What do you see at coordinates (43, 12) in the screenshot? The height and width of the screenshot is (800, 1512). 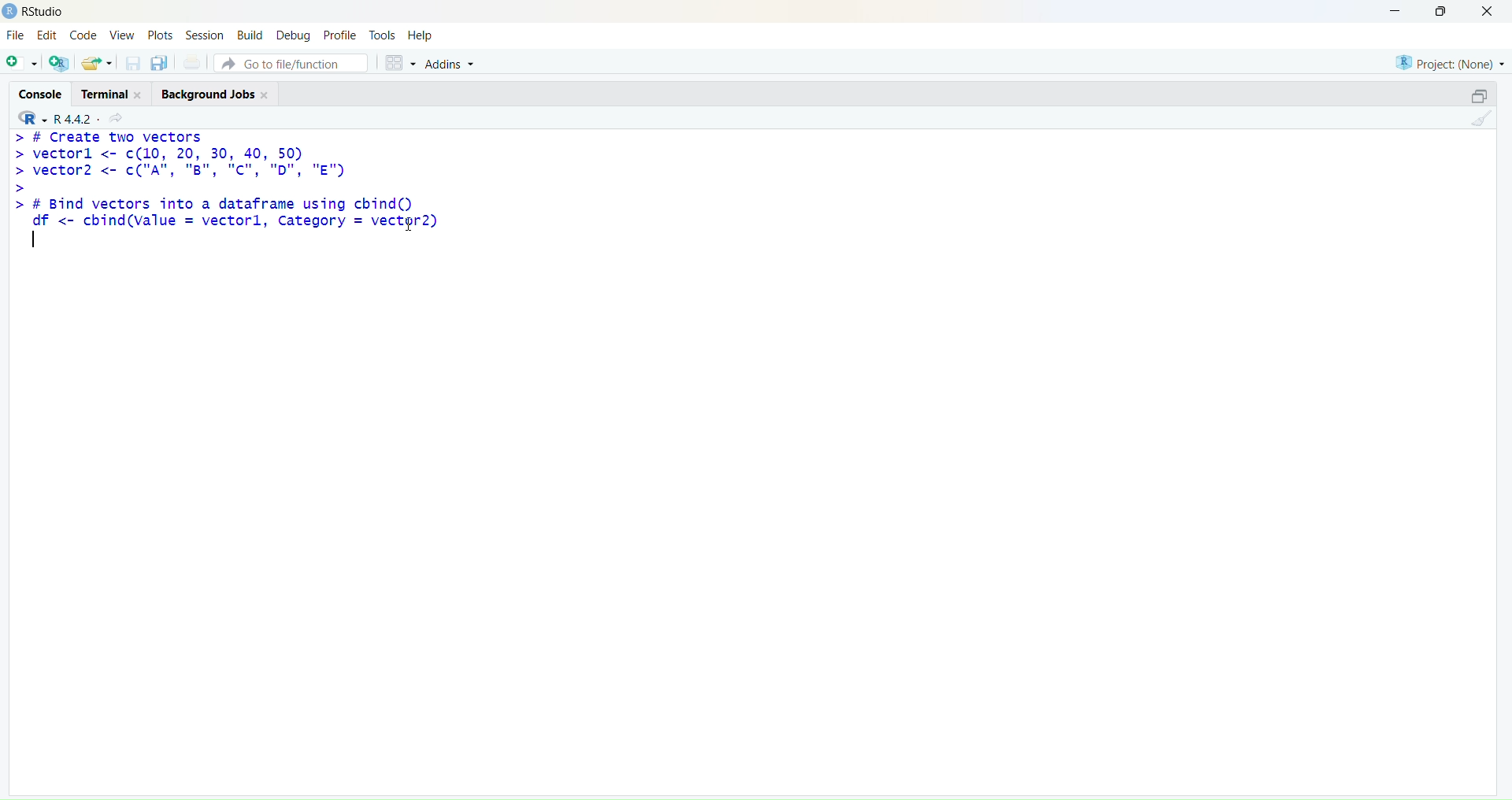 I see `RStudio` at bounding box center [43, 12].